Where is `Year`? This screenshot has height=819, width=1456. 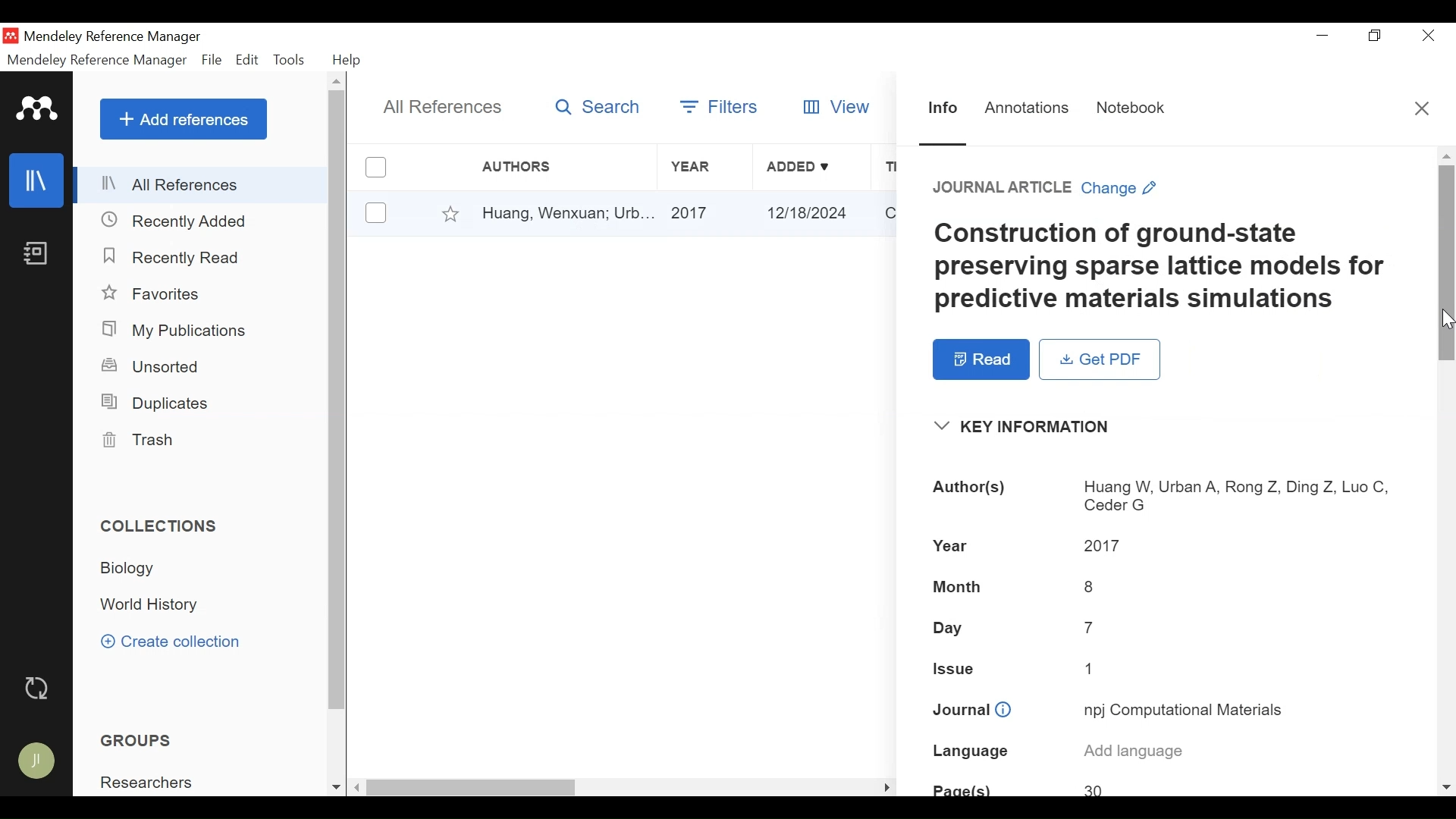 Year is located at coordinates (703, 167).